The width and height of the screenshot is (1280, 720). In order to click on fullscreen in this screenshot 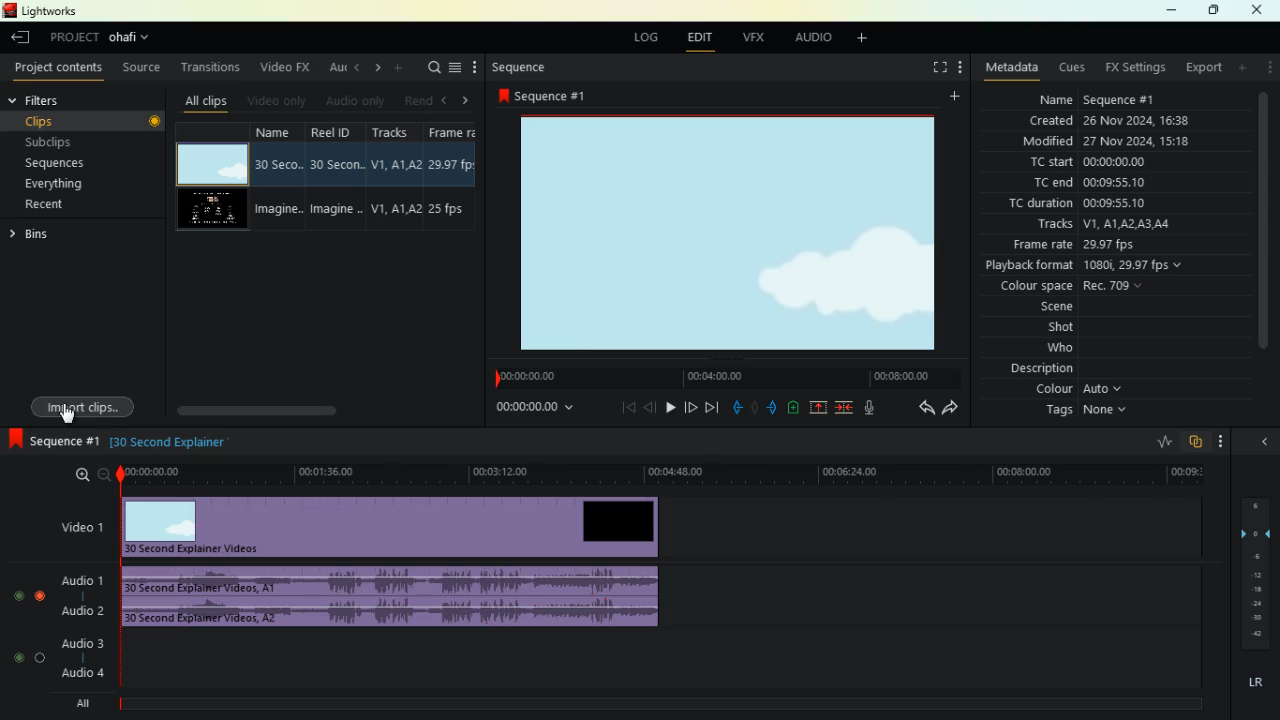, I will do `click(930, 67)`.